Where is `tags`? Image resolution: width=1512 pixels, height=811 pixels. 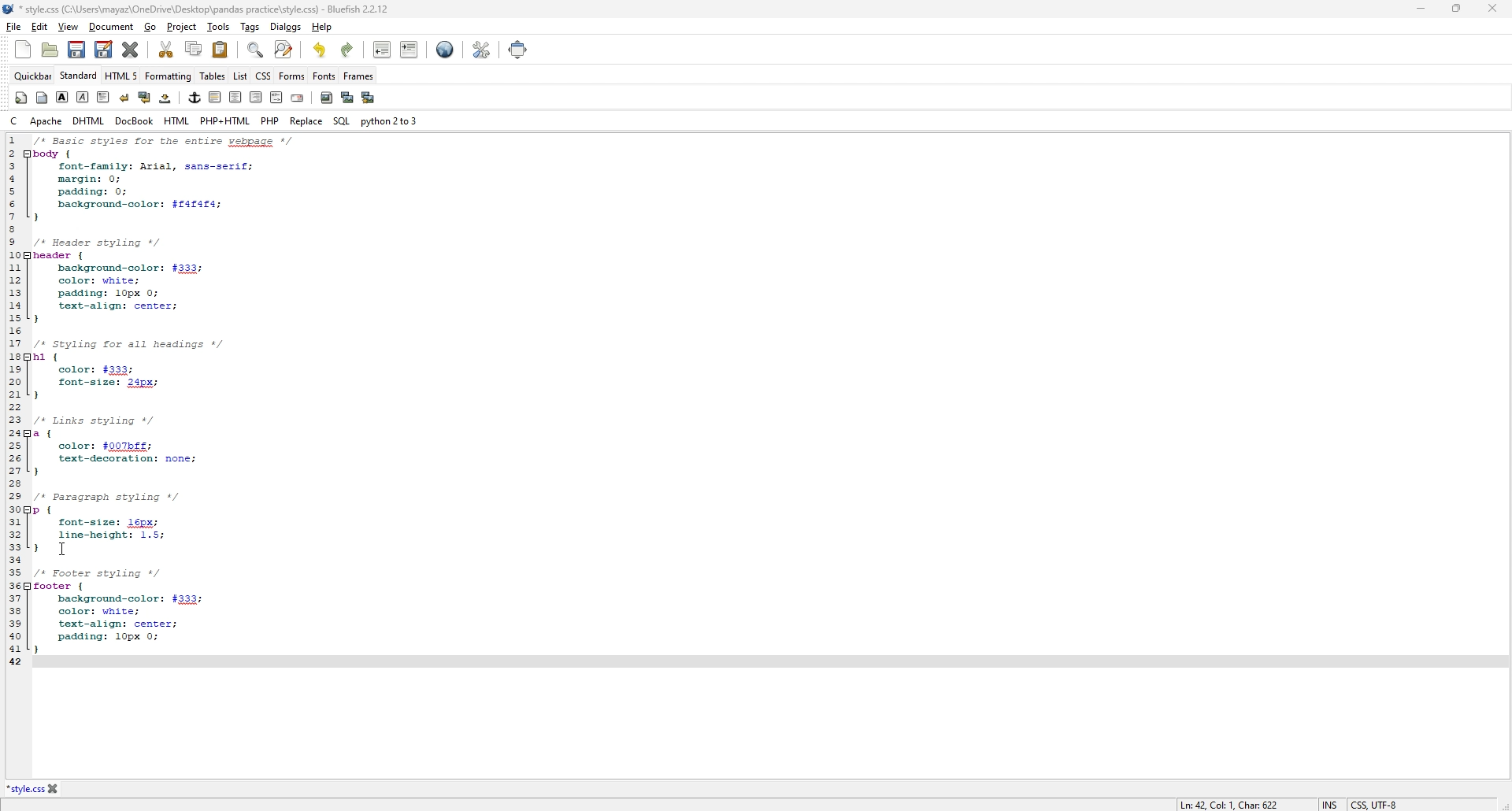 tags is located at coordinates (248, 26).